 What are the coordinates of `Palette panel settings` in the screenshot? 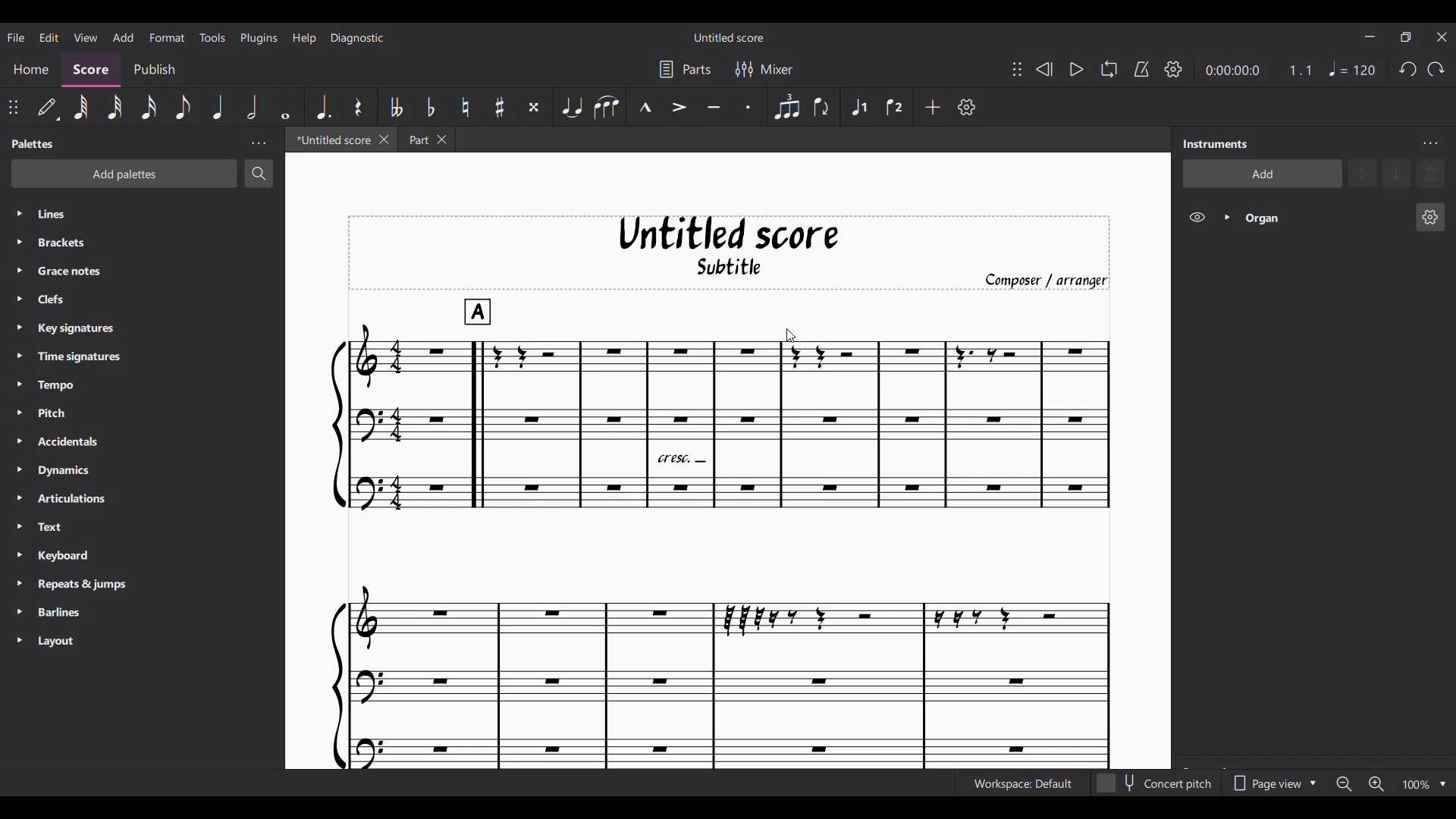 It's located at (259, 144).